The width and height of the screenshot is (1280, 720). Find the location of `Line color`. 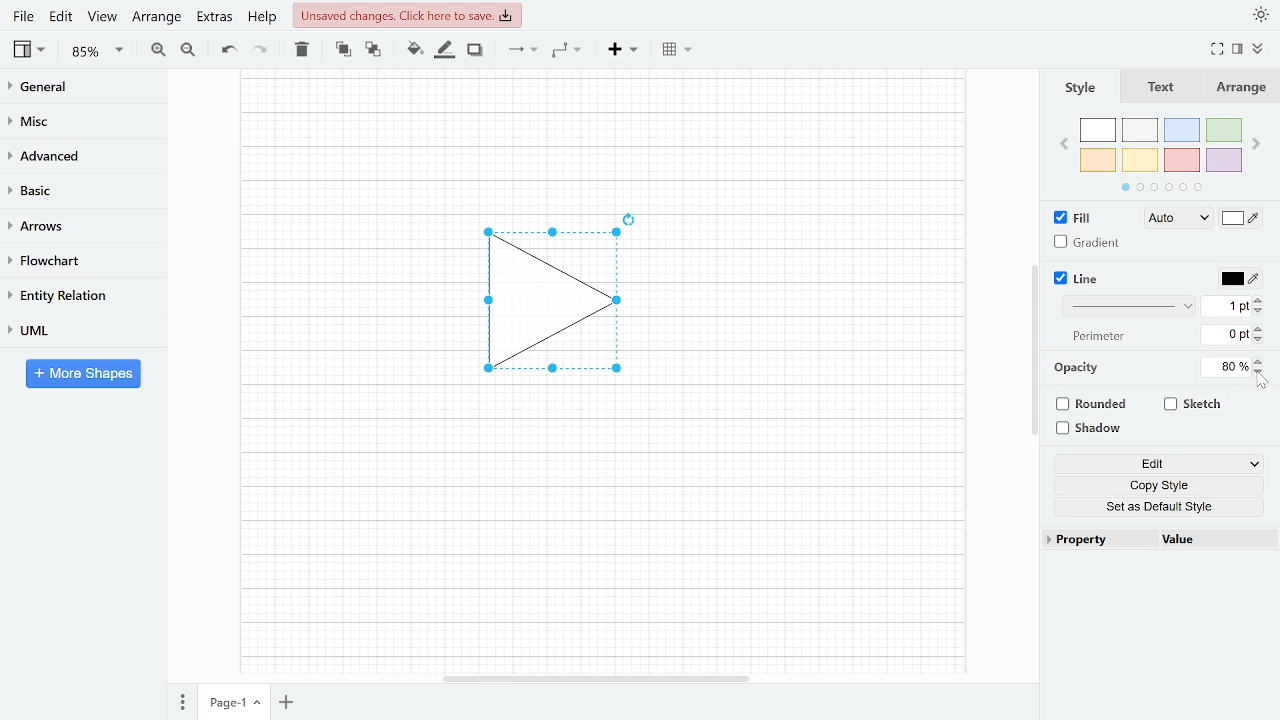

Line color is located at coordinates (1238, 276).